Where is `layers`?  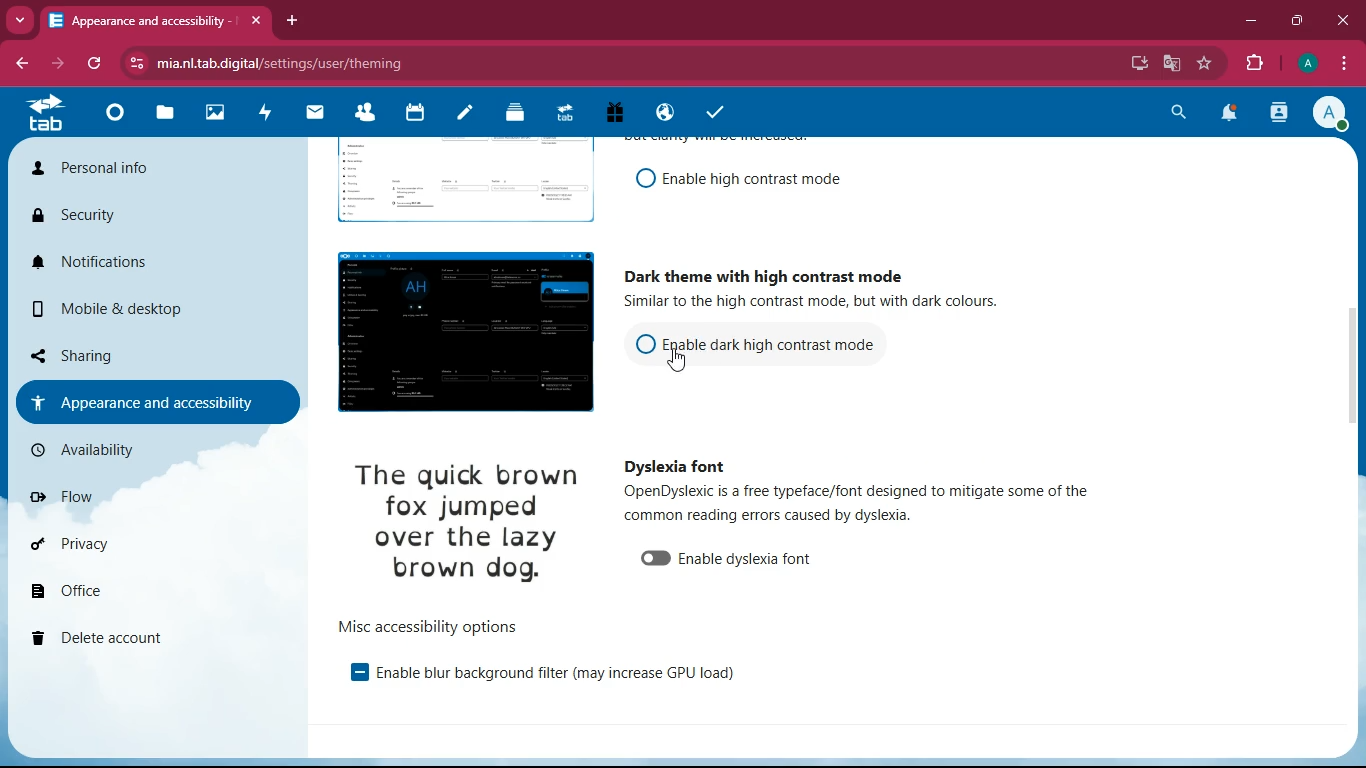 layers is located at coordinates (522, 116).